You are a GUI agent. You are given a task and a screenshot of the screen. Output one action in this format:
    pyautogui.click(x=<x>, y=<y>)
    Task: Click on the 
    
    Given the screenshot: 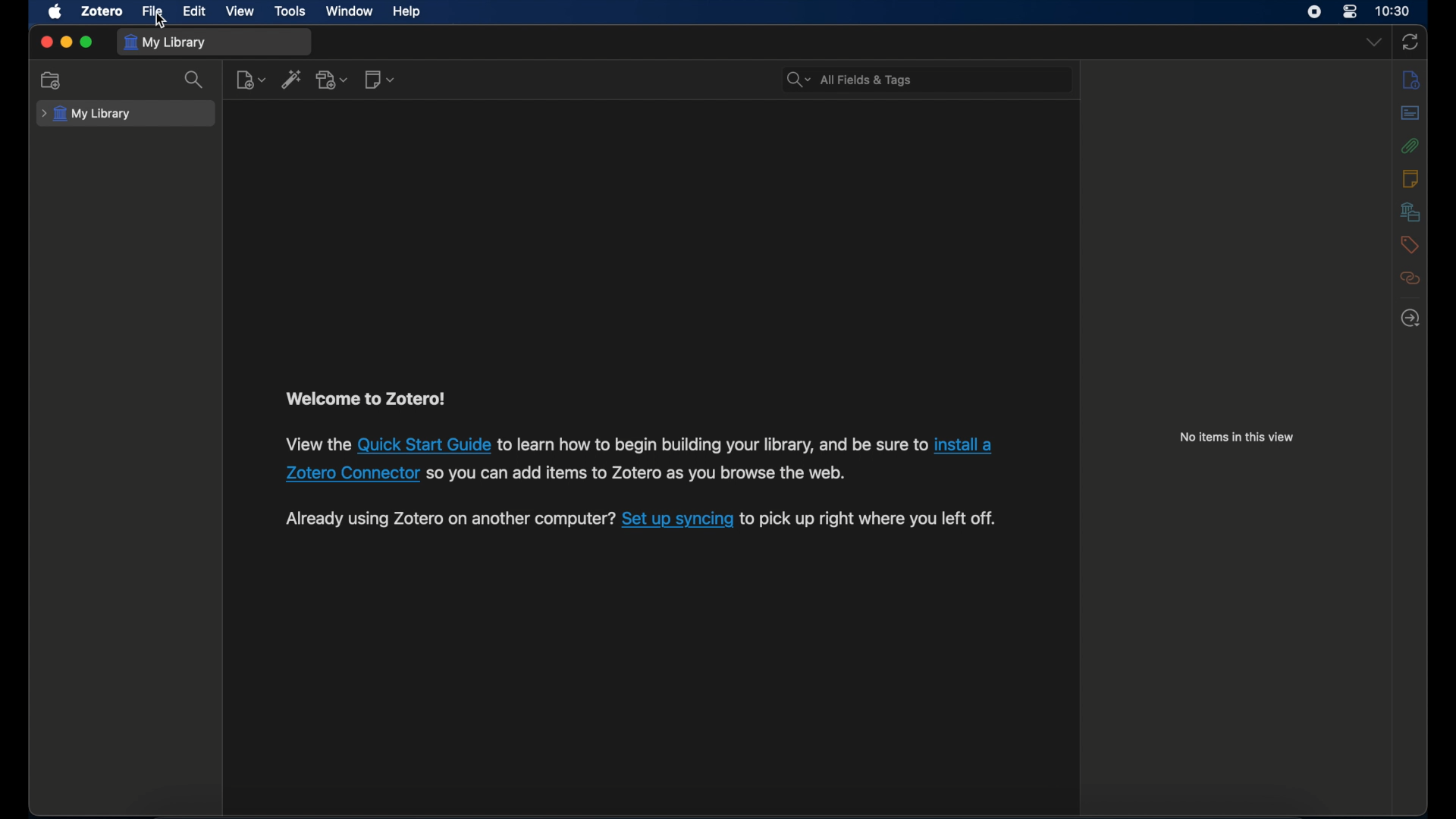 What is the action you would take?
    pyautogui.click(x=348, y=474)
    